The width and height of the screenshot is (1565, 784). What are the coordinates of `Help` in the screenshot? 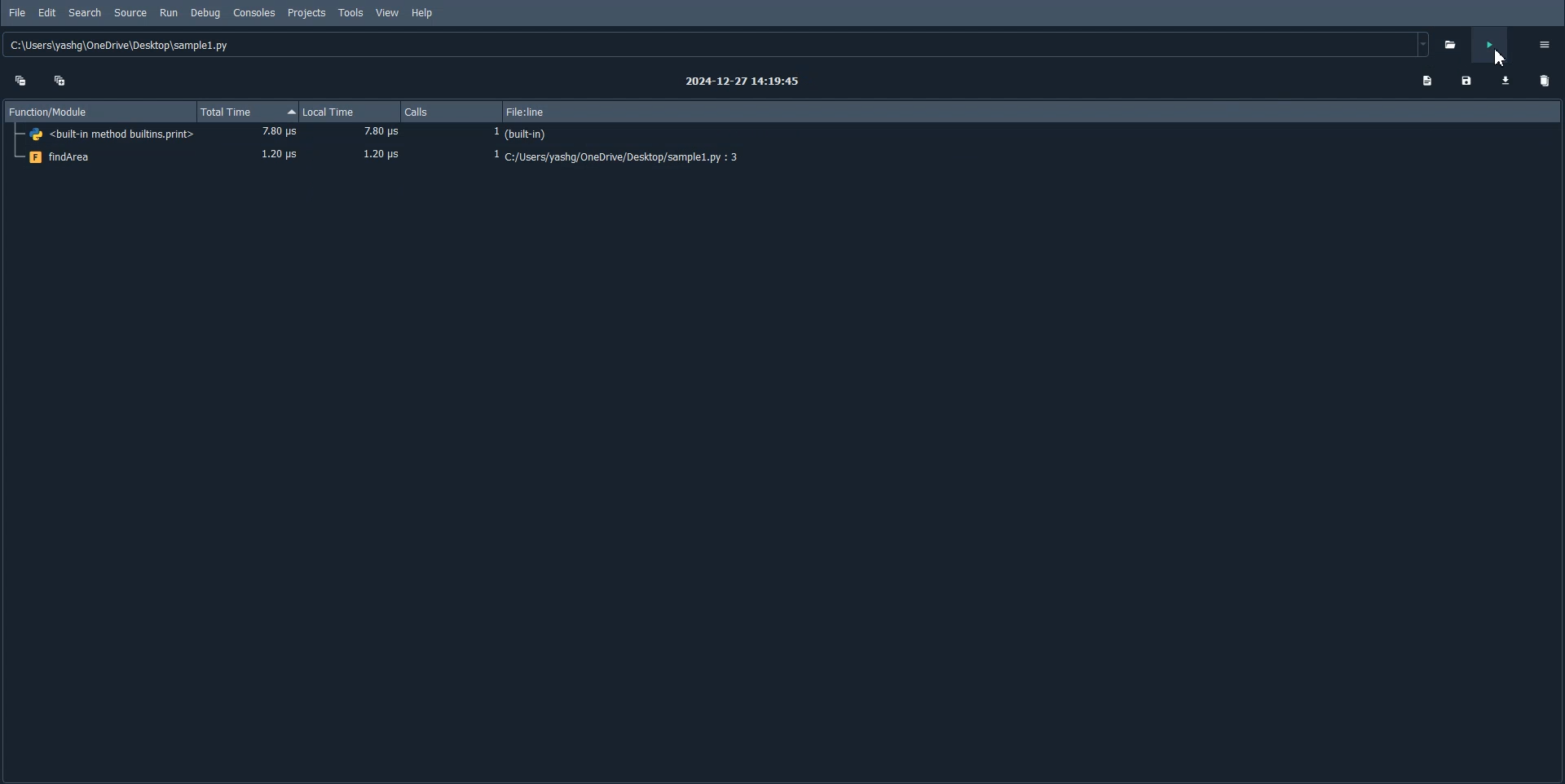 It's located at (422, 13).